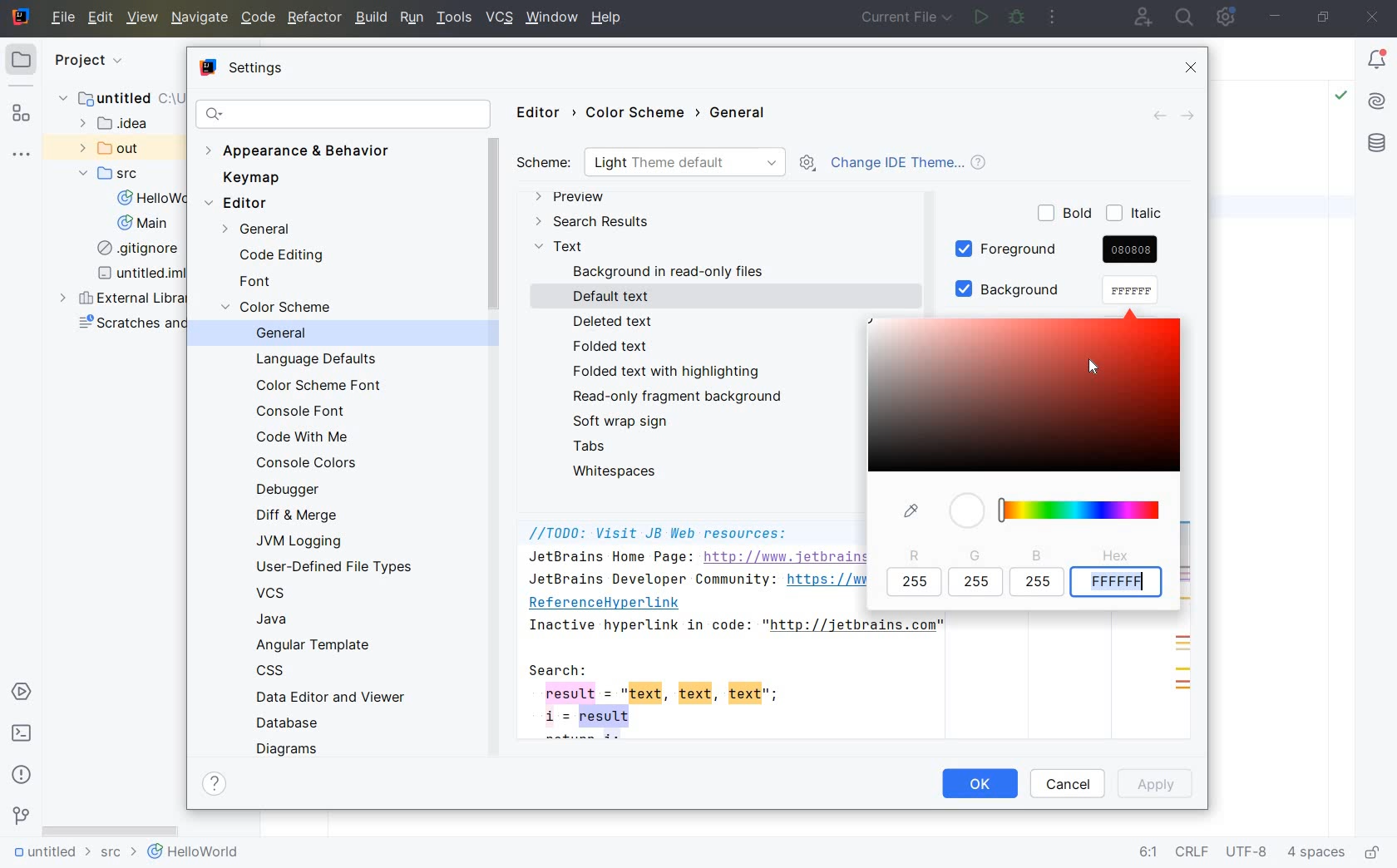 The image size is (1397, 868). Describe the element at coordinates (303, 541) in the screenshot. I see `JVM LOGGING` at that location.